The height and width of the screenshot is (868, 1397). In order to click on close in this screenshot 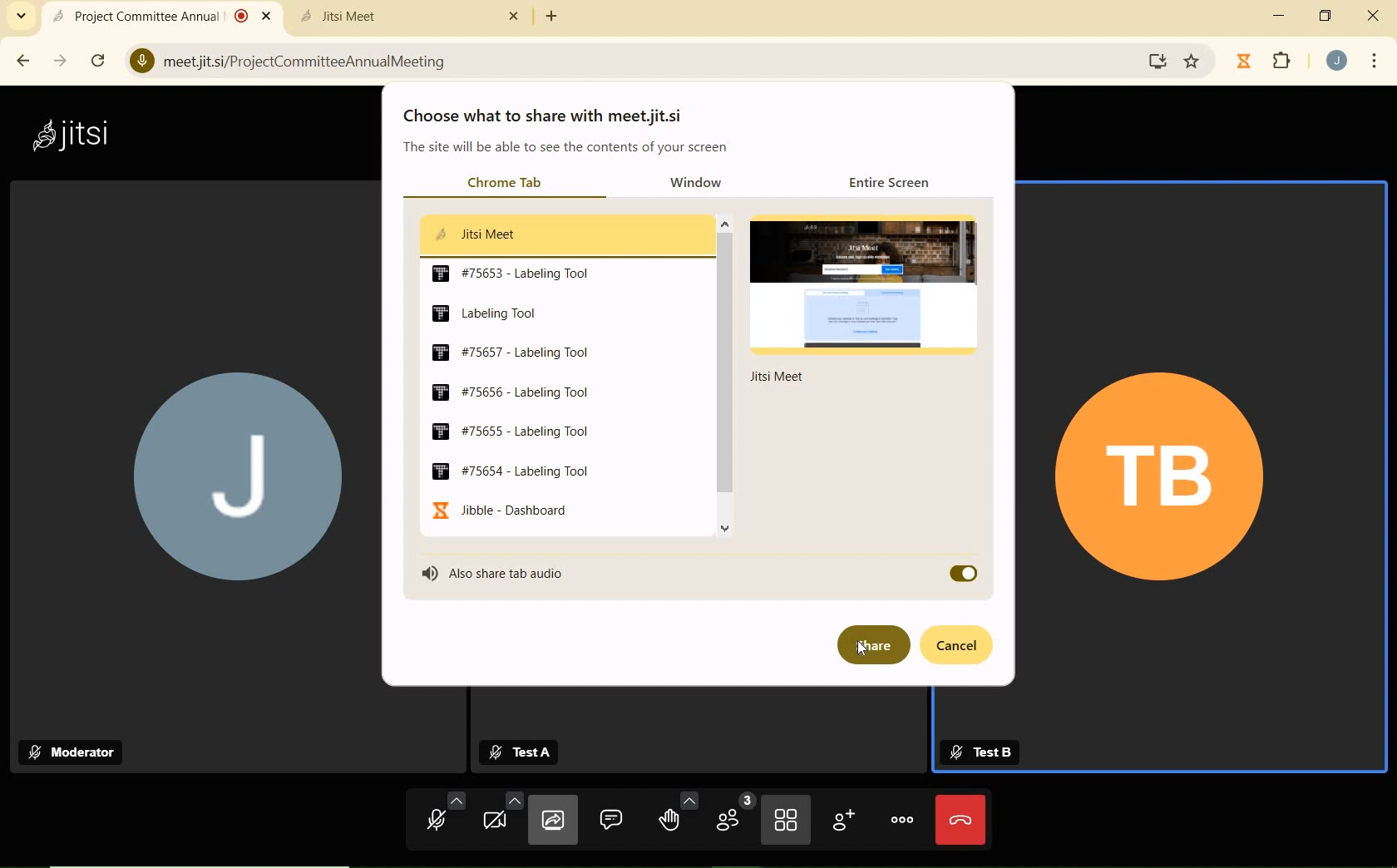, I will do `click(1375, 13)`.